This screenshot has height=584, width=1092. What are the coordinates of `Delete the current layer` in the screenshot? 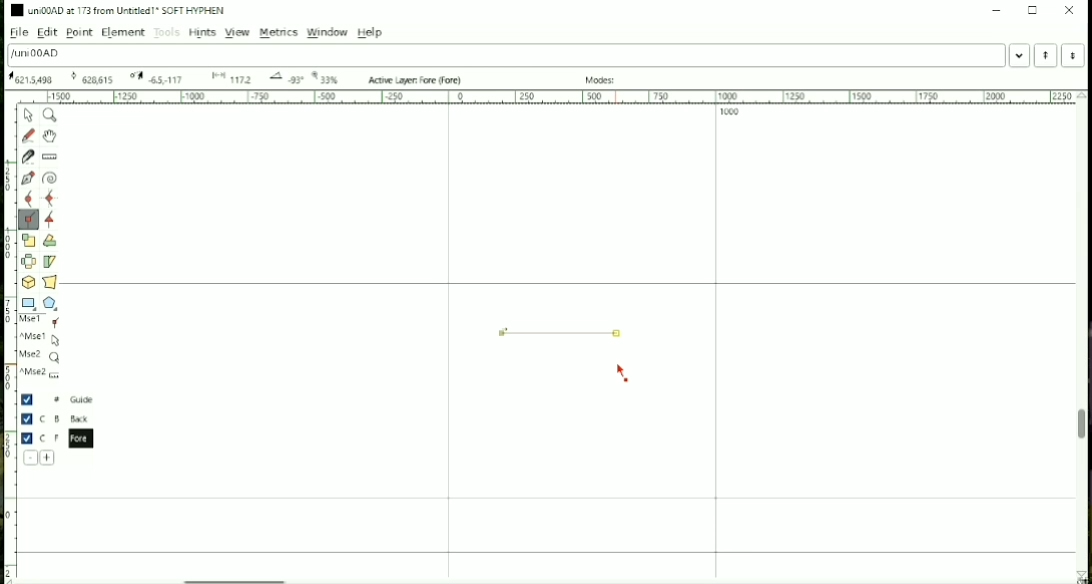 It's located at (31, 458).